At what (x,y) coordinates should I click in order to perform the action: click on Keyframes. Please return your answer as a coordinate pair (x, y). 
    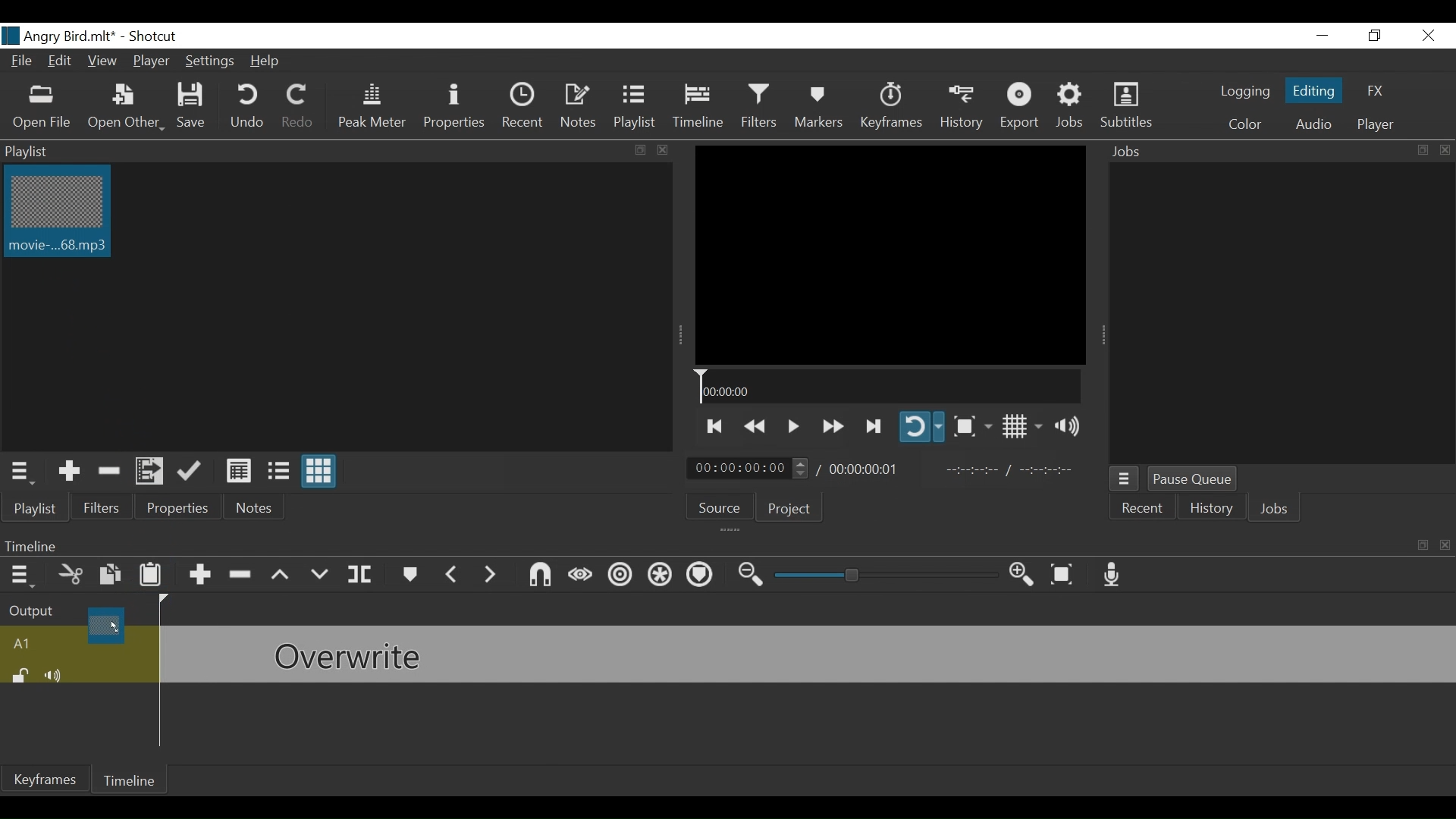
    Looking at the image, I should click on (890, 106).